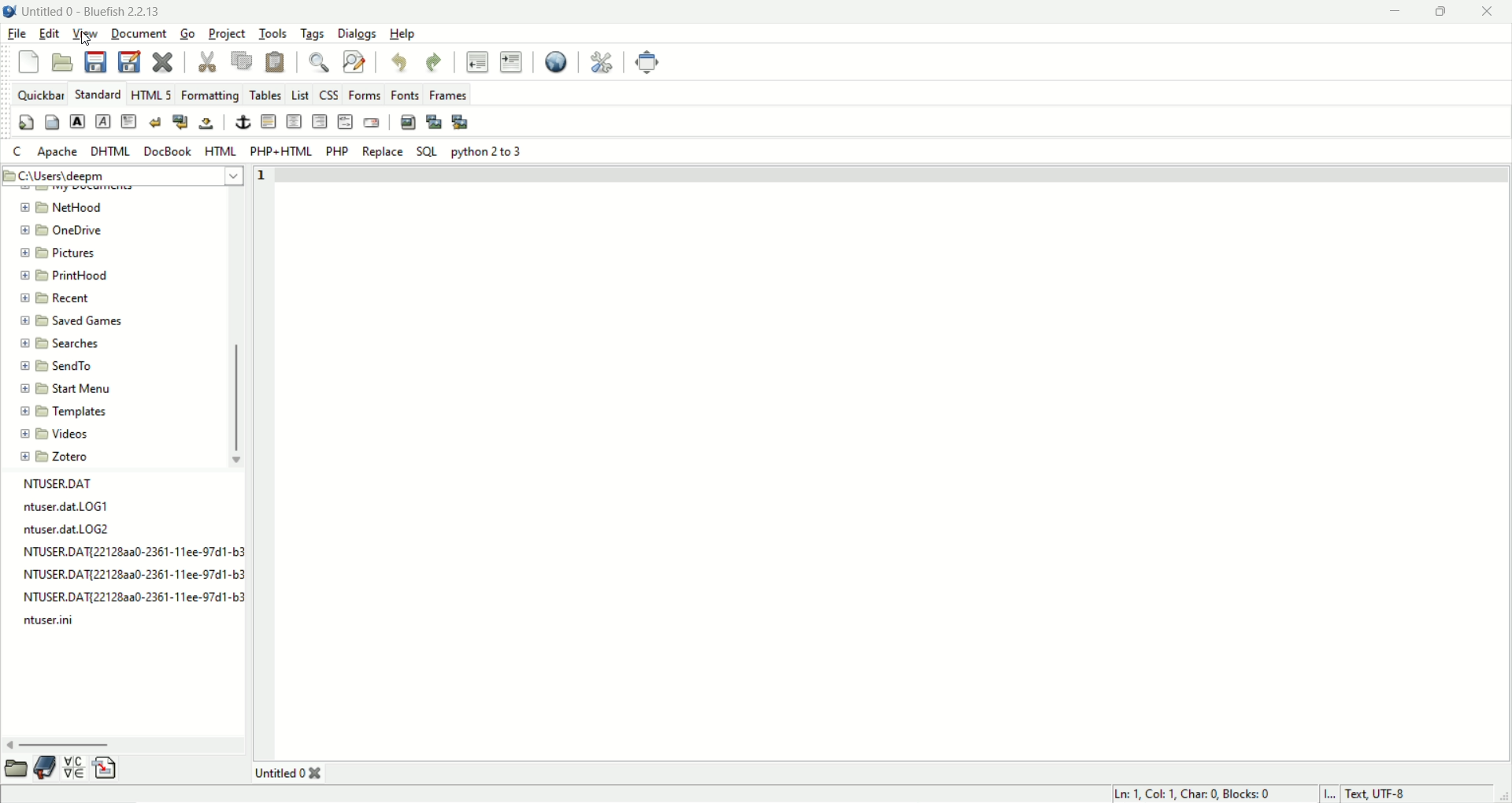  What do you see at coordinates (477, 61) in the screenshot?
I see `unindent` at bounding box center [477, 61].